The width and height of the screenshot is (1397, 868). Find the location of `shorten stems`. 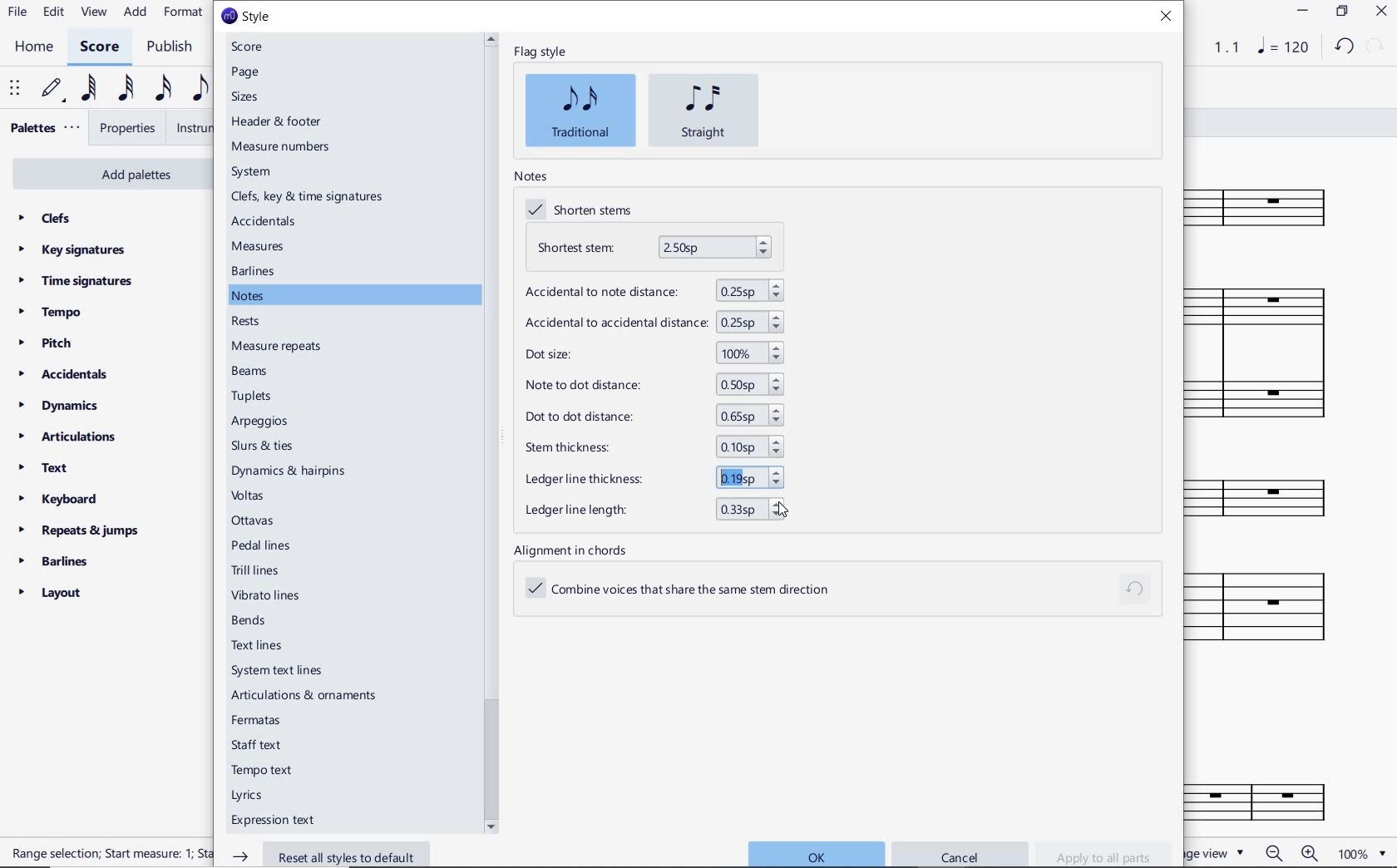

shorten stems is located at coordinates (584, 211).